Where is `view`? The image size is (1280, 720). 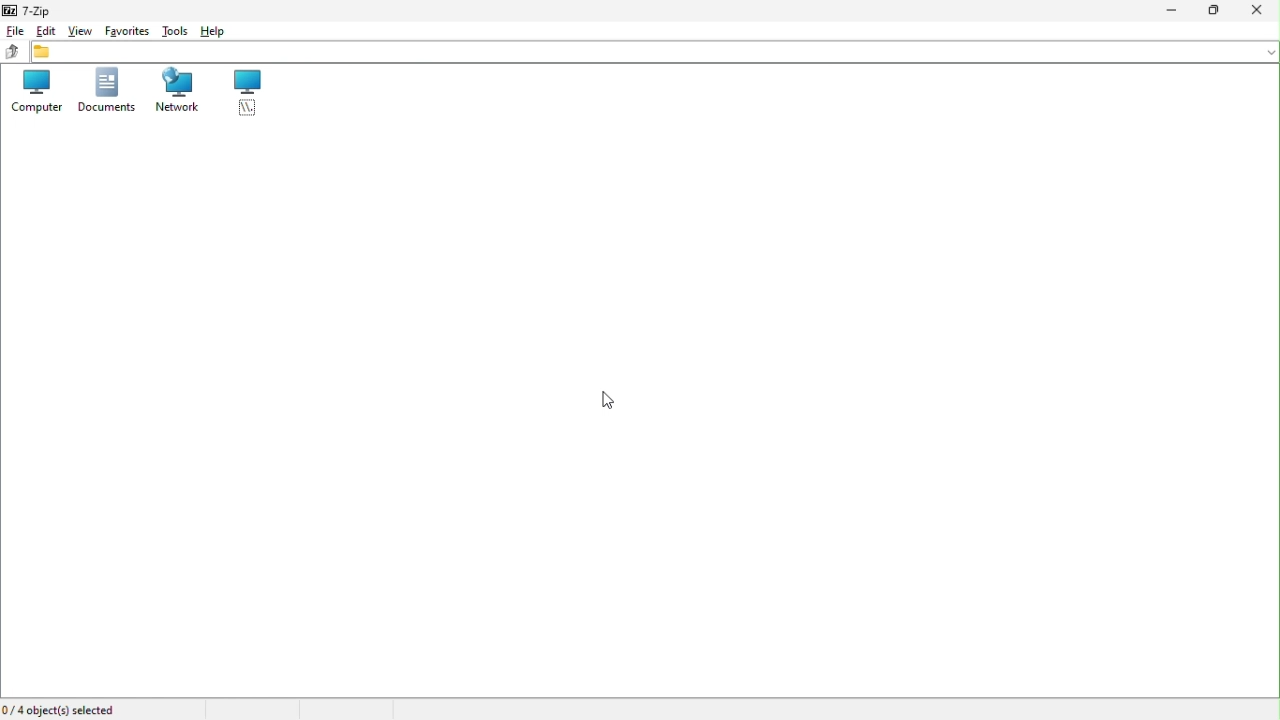 view is located at coordinates (82, 32).